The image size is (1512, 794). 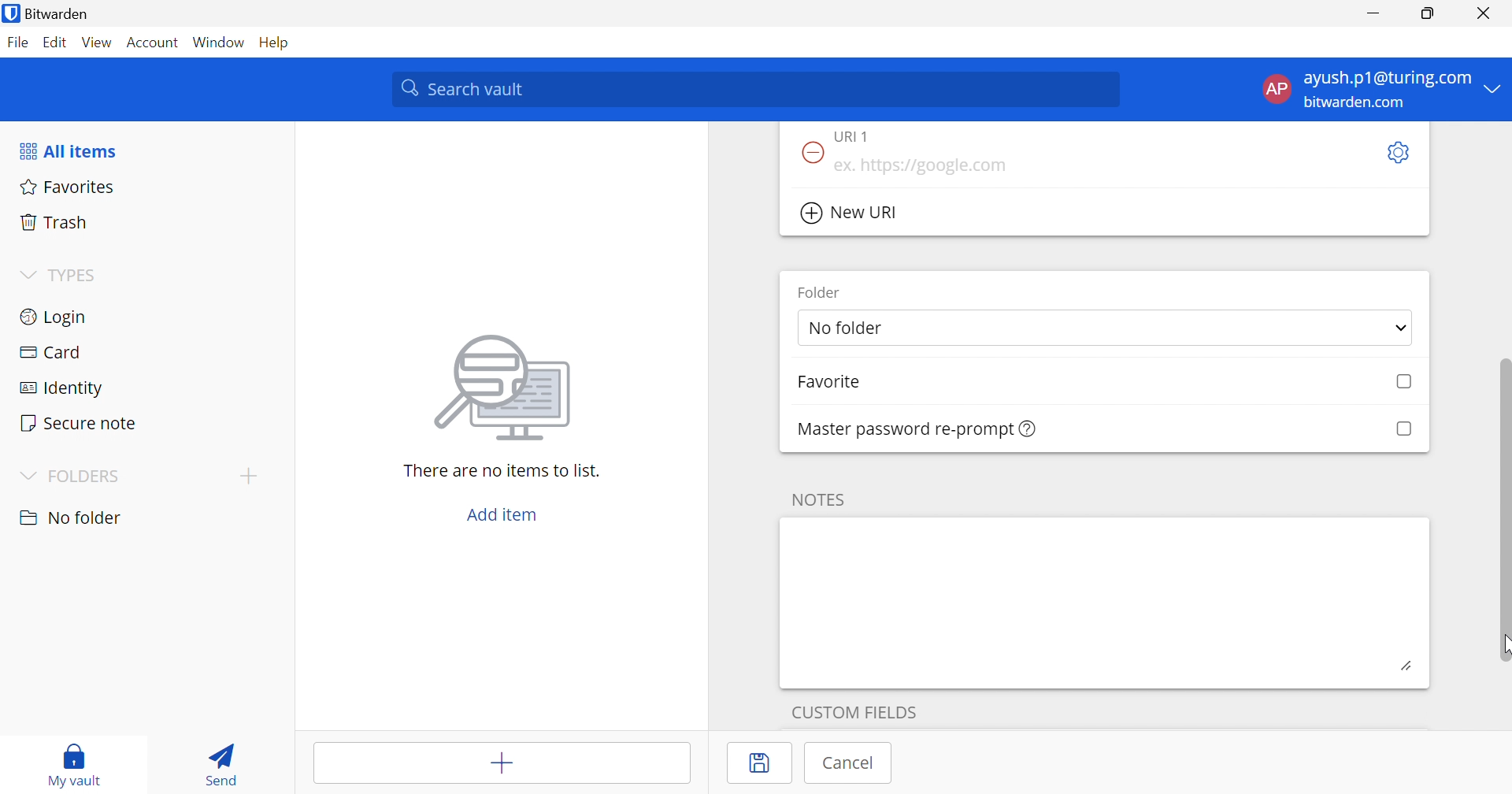 What do you see at coordinates (220, 43) in the screenshot?
I see `Window` at bounding box center [220, 43].